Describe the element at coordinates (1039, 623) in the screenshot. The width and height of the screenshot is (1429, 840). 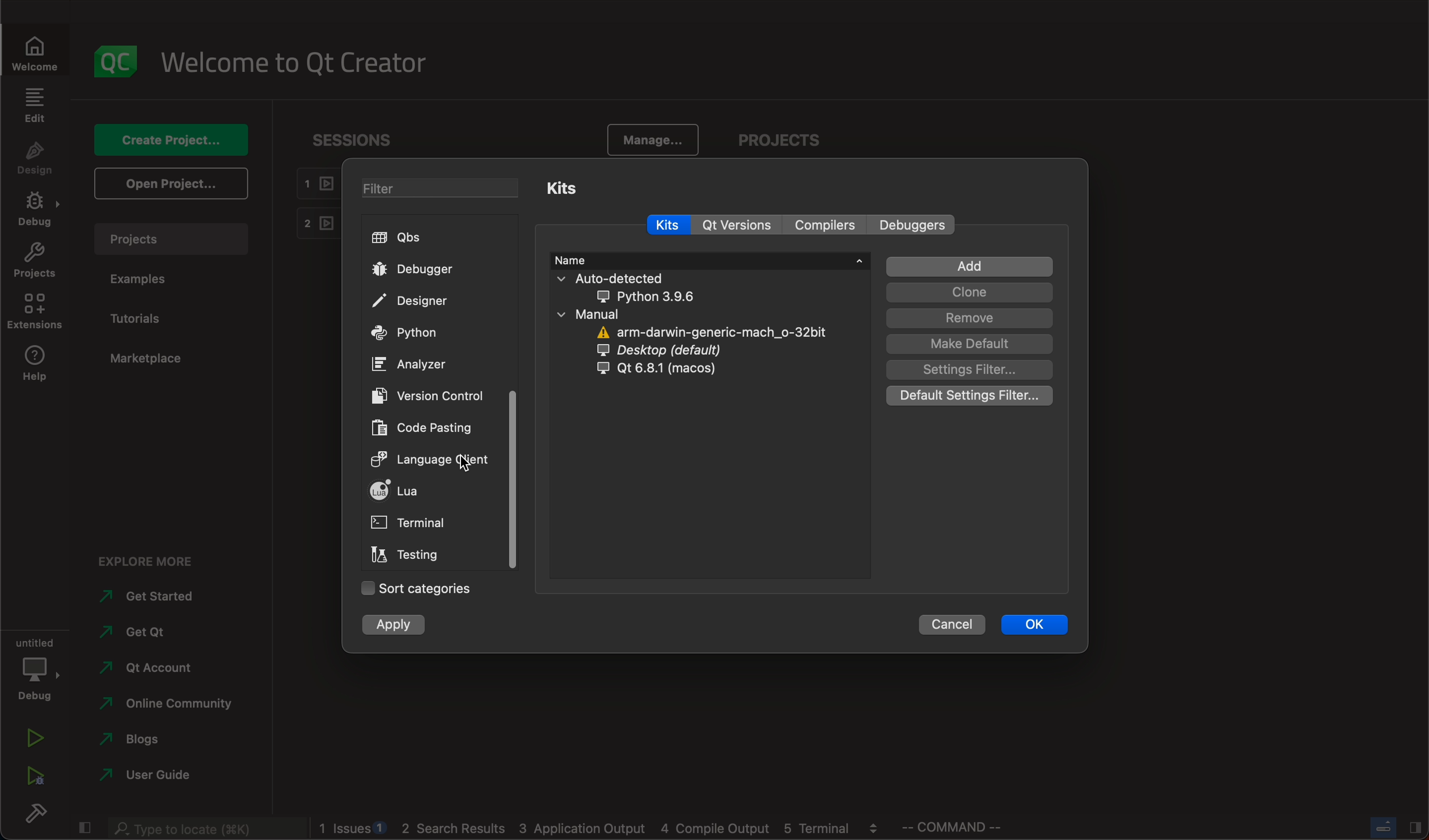
I see `ok` at that location.